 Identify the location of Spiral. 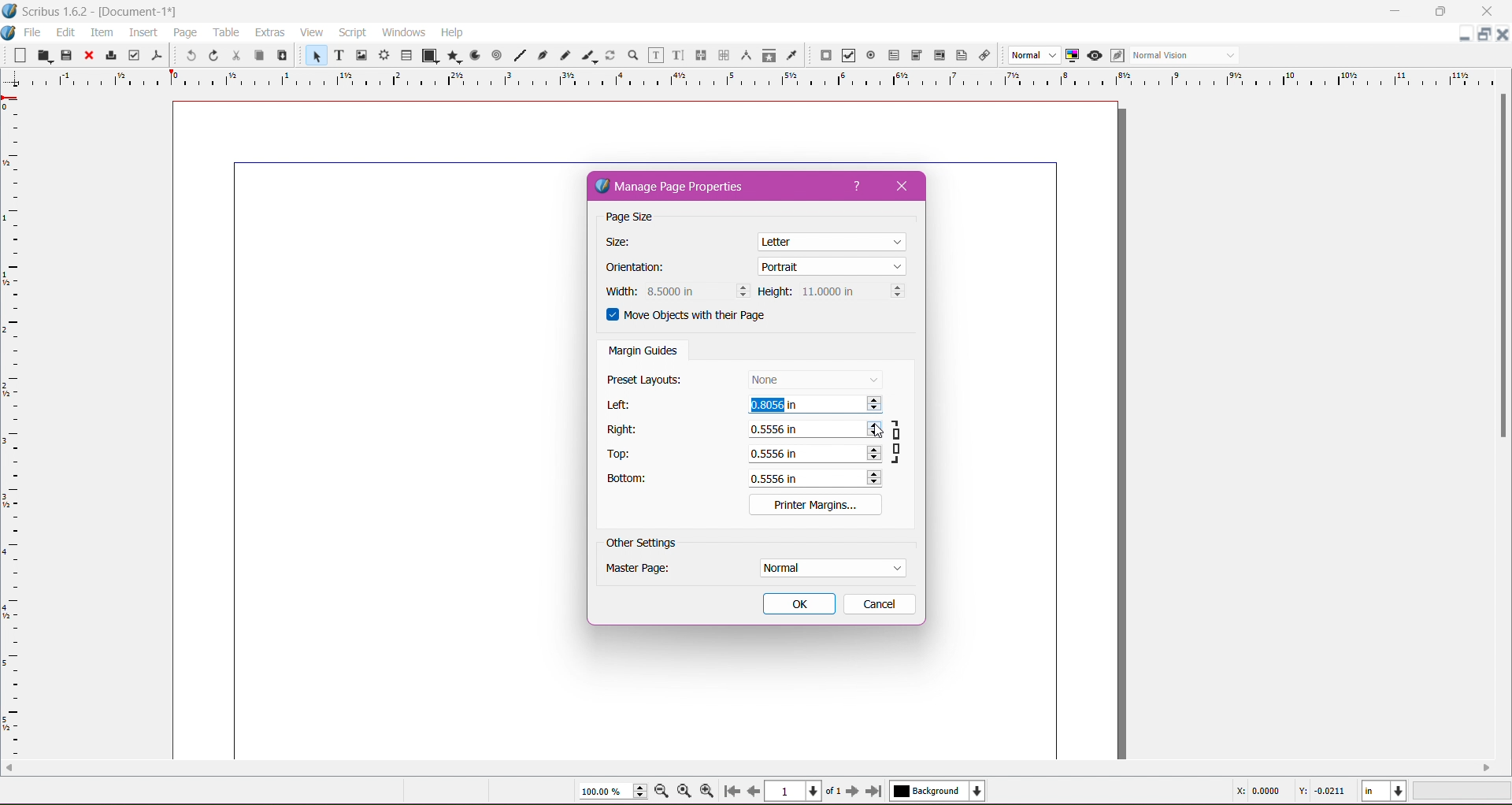
(496, 56).